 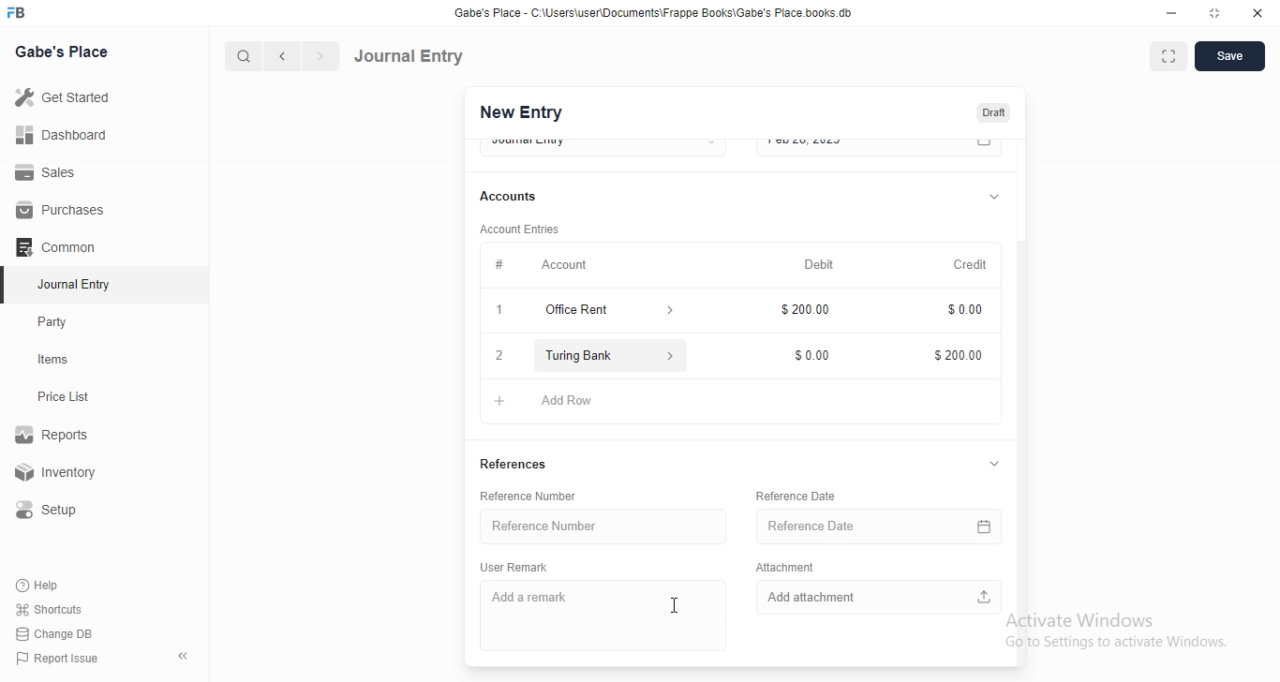 I want to click on ‘Attachment, so click(x=801, y=567).